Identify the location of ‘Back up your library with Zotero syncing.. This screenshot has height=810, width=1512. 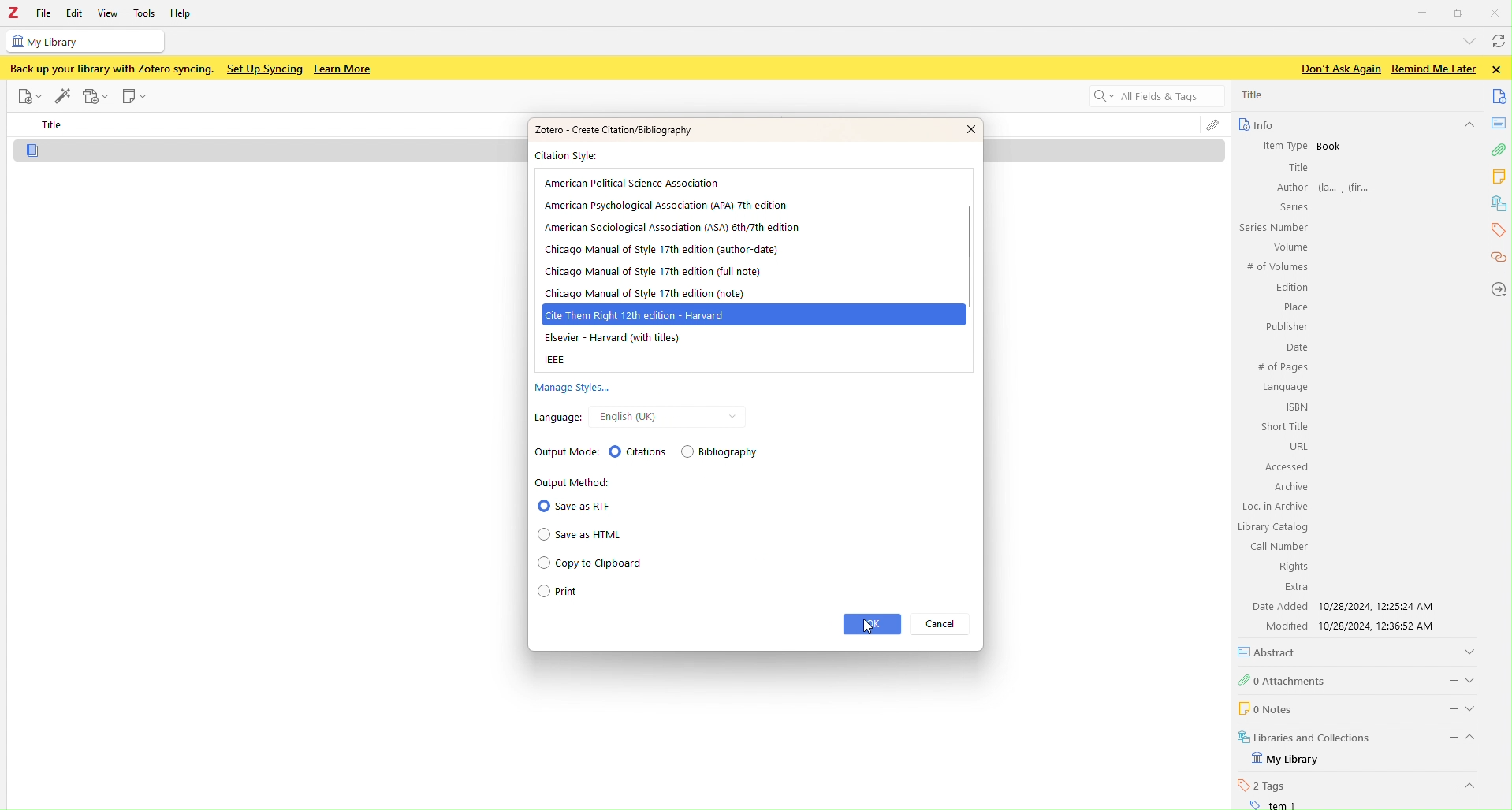
(110, 69).